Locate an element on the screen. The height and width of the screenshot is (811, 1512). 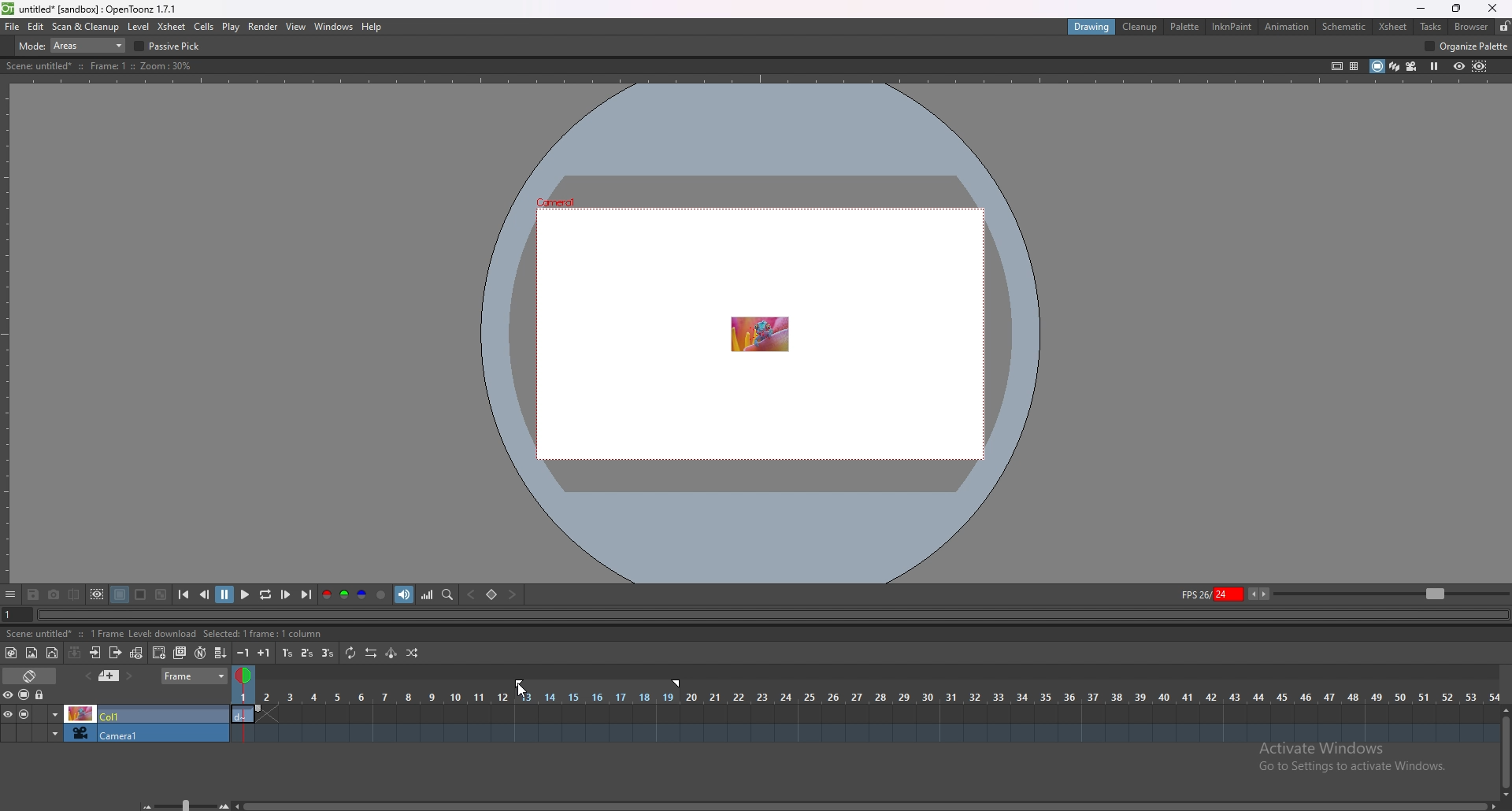
render is located at coordinates (264, 27).